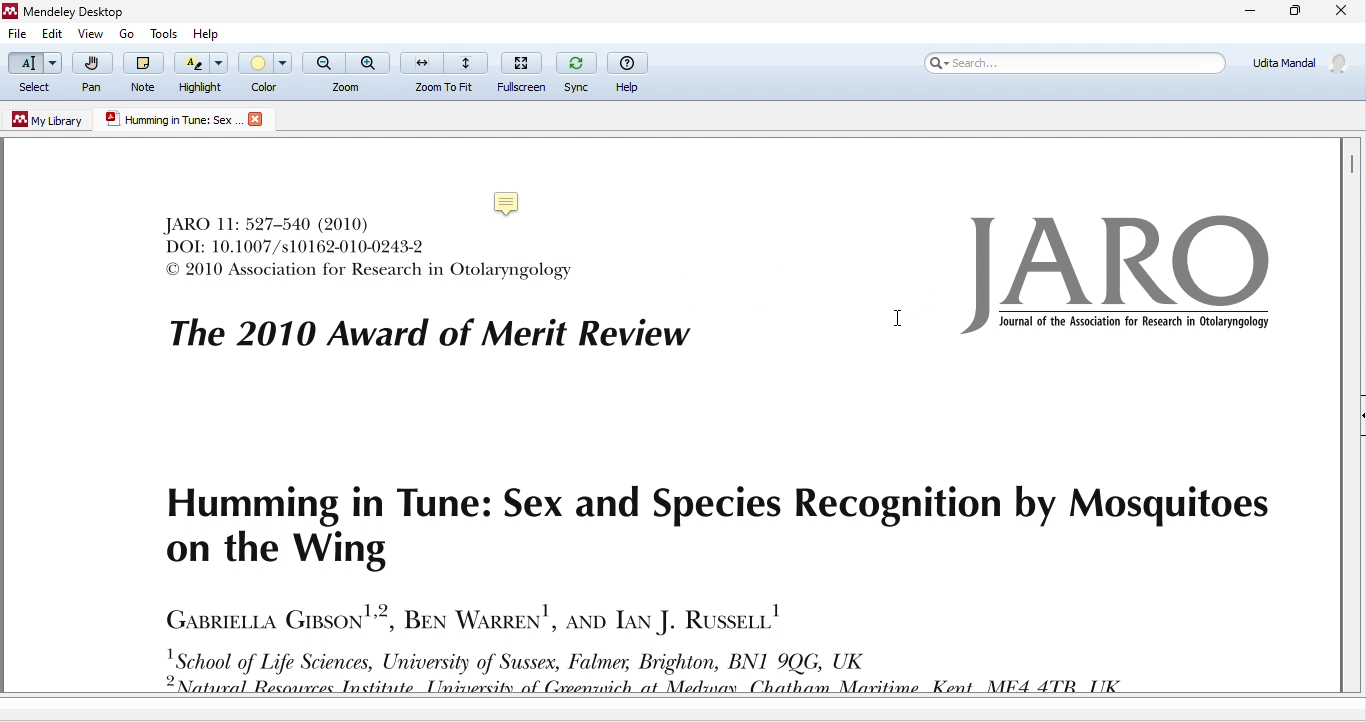 This screenshot has height=722, width=1366. Describe the element at coordinates (446, 72) in the screenshot. I see `zoom to fit` at that location.